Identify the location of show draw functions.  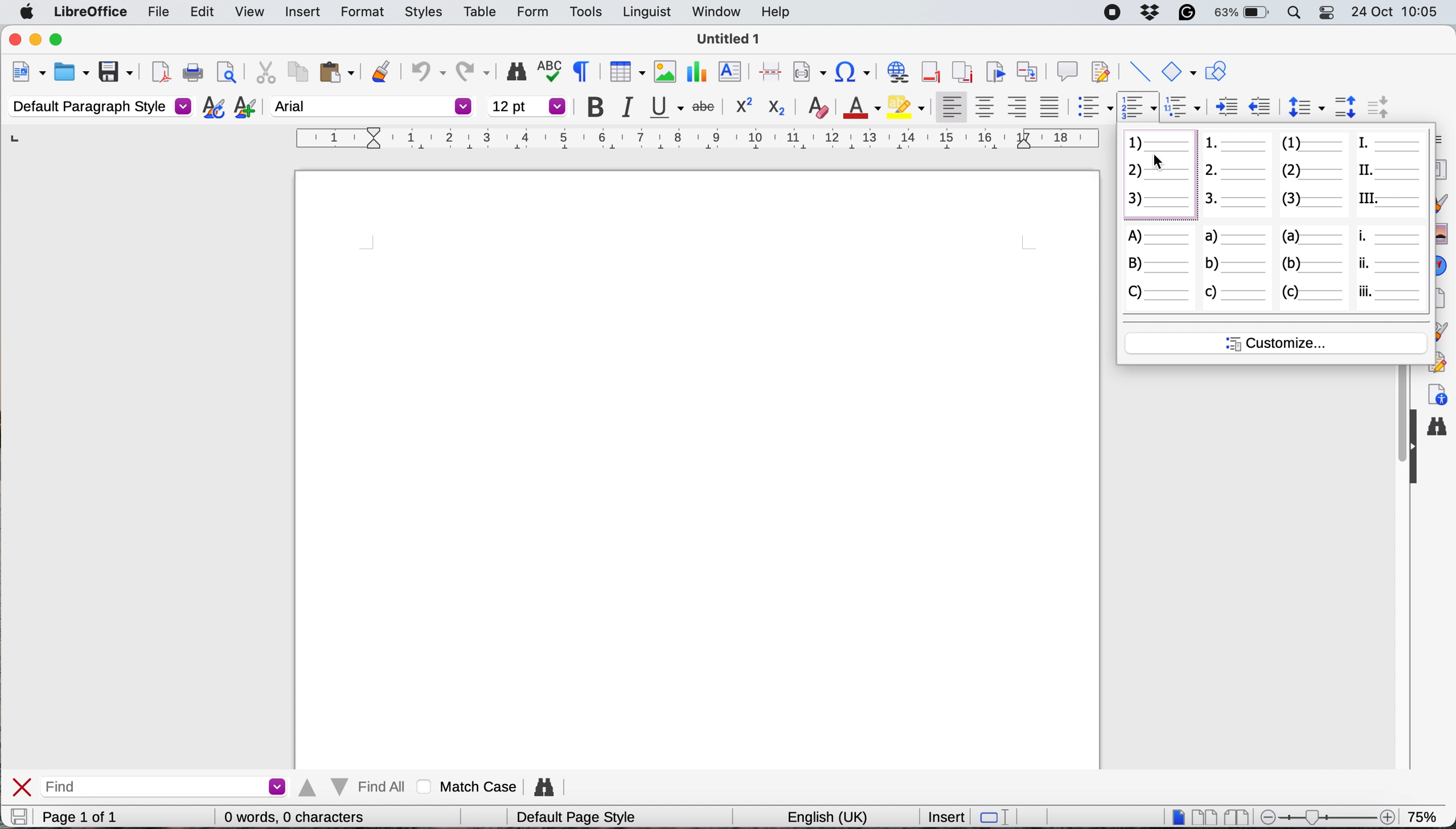
(1215, 72).